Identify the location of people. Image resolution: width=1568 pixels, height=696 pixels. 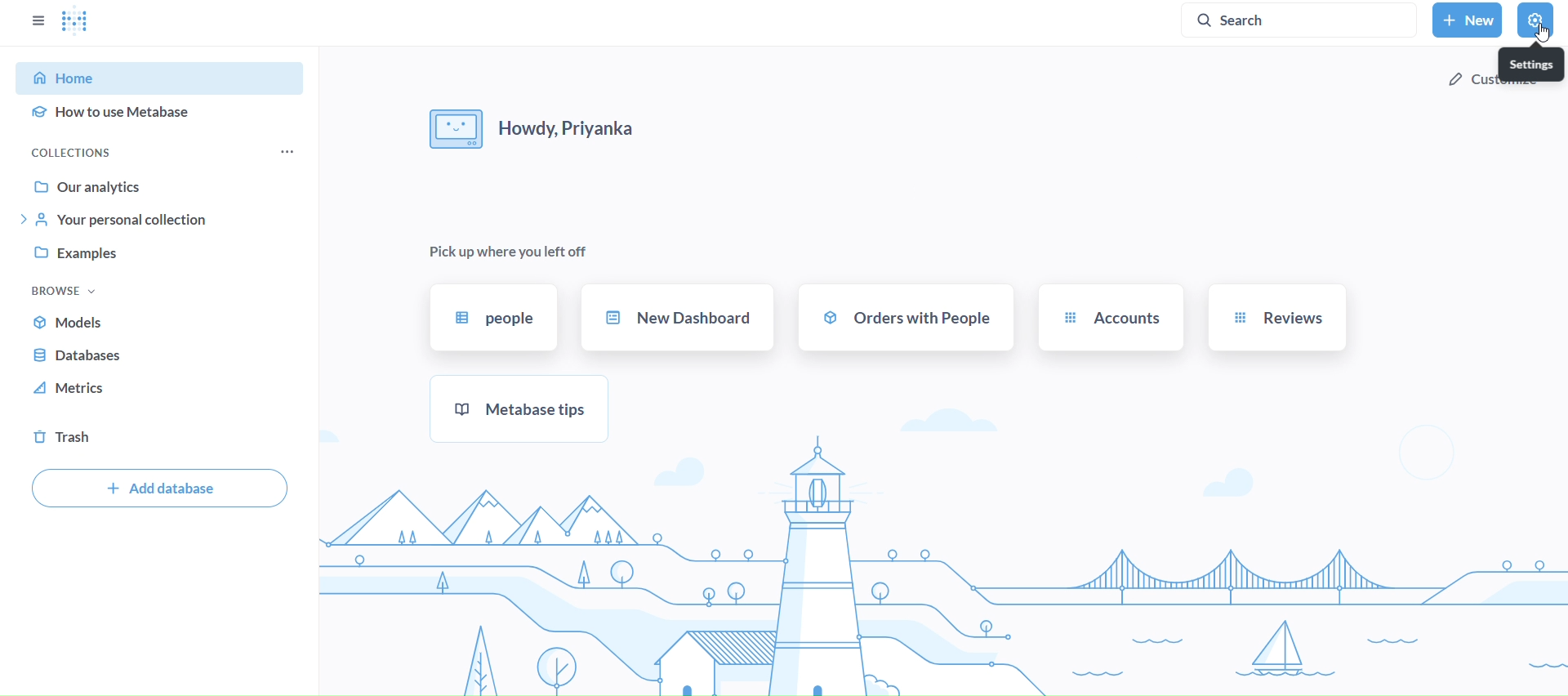
(496, 315).